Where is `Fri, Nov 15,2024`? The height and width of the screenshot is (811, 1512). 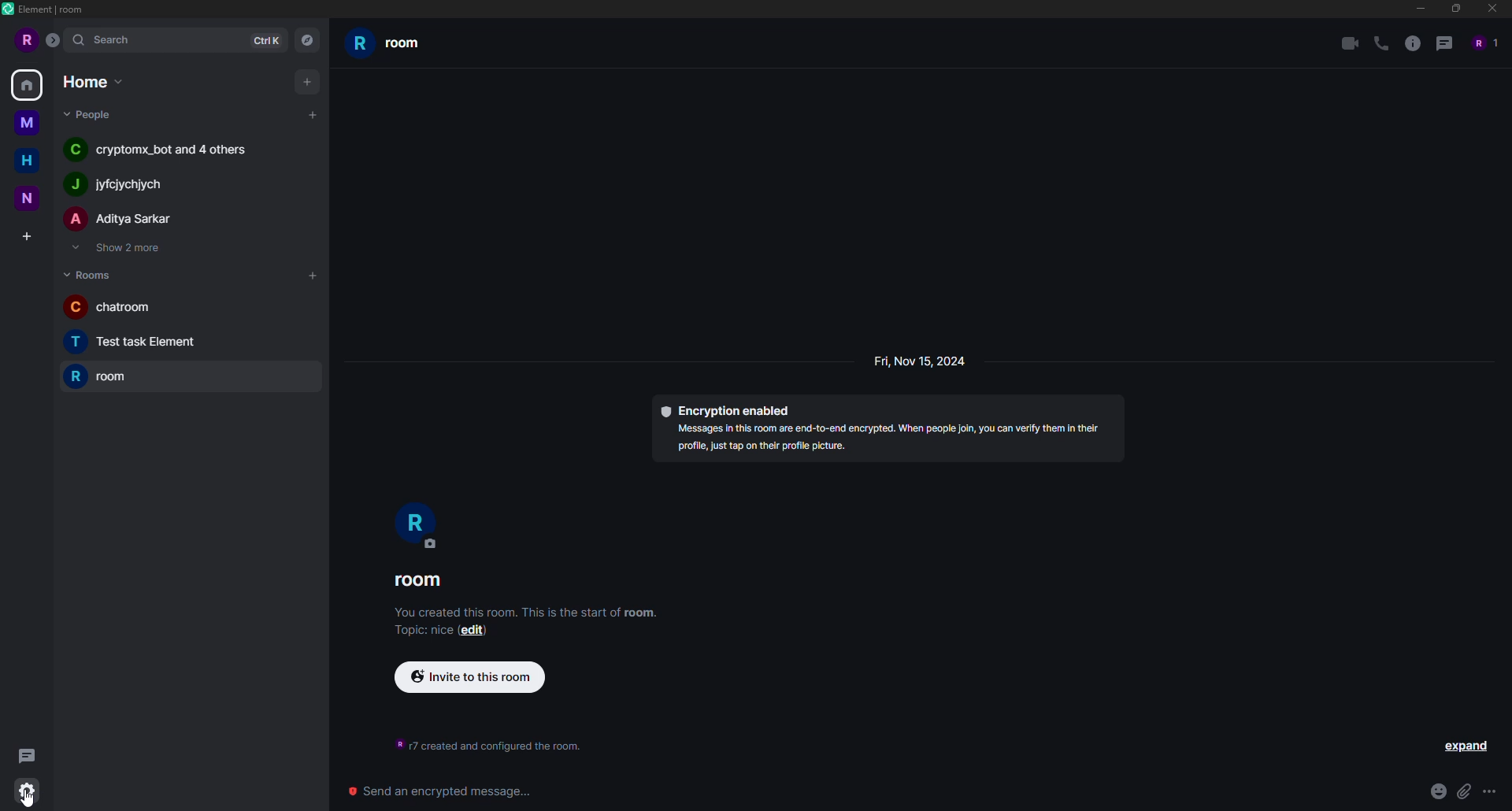
Fri, Nov 15,2024 is located at coordinates (917, 361).